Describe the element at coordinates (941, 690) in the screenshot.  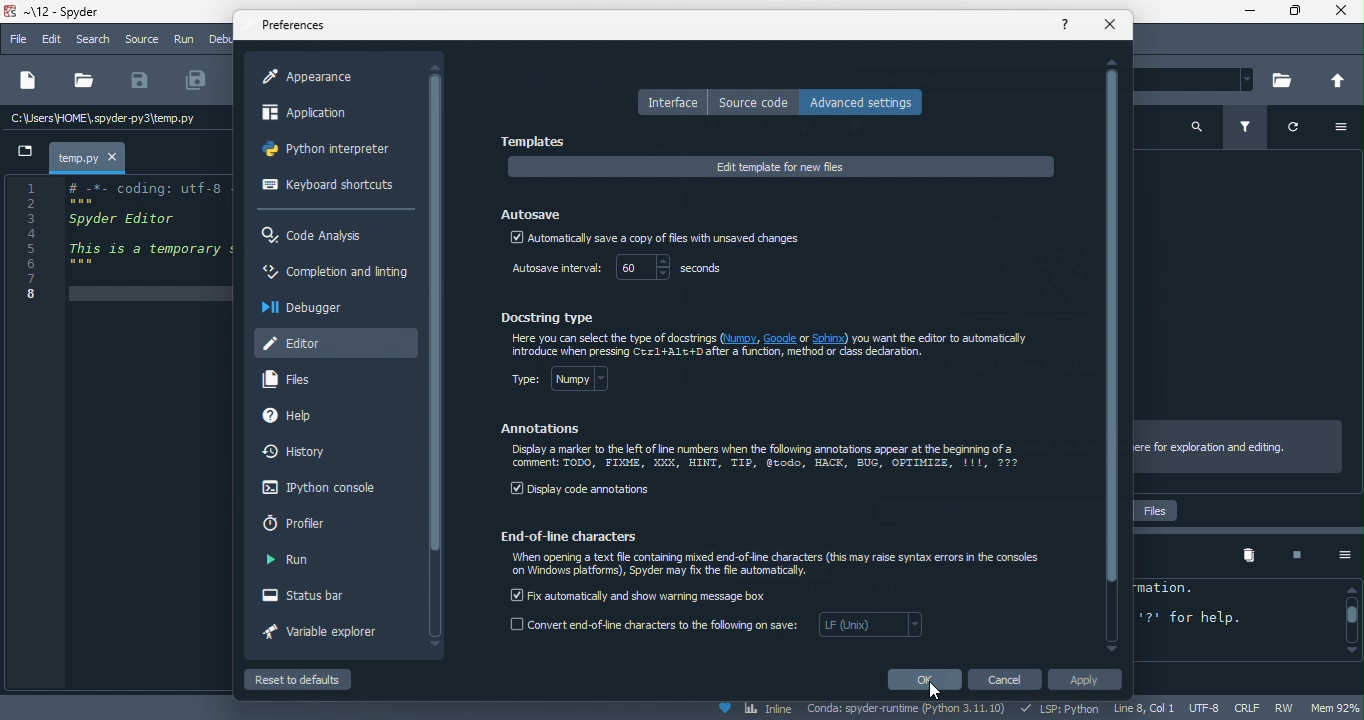
I see `cursor movement` at that location.